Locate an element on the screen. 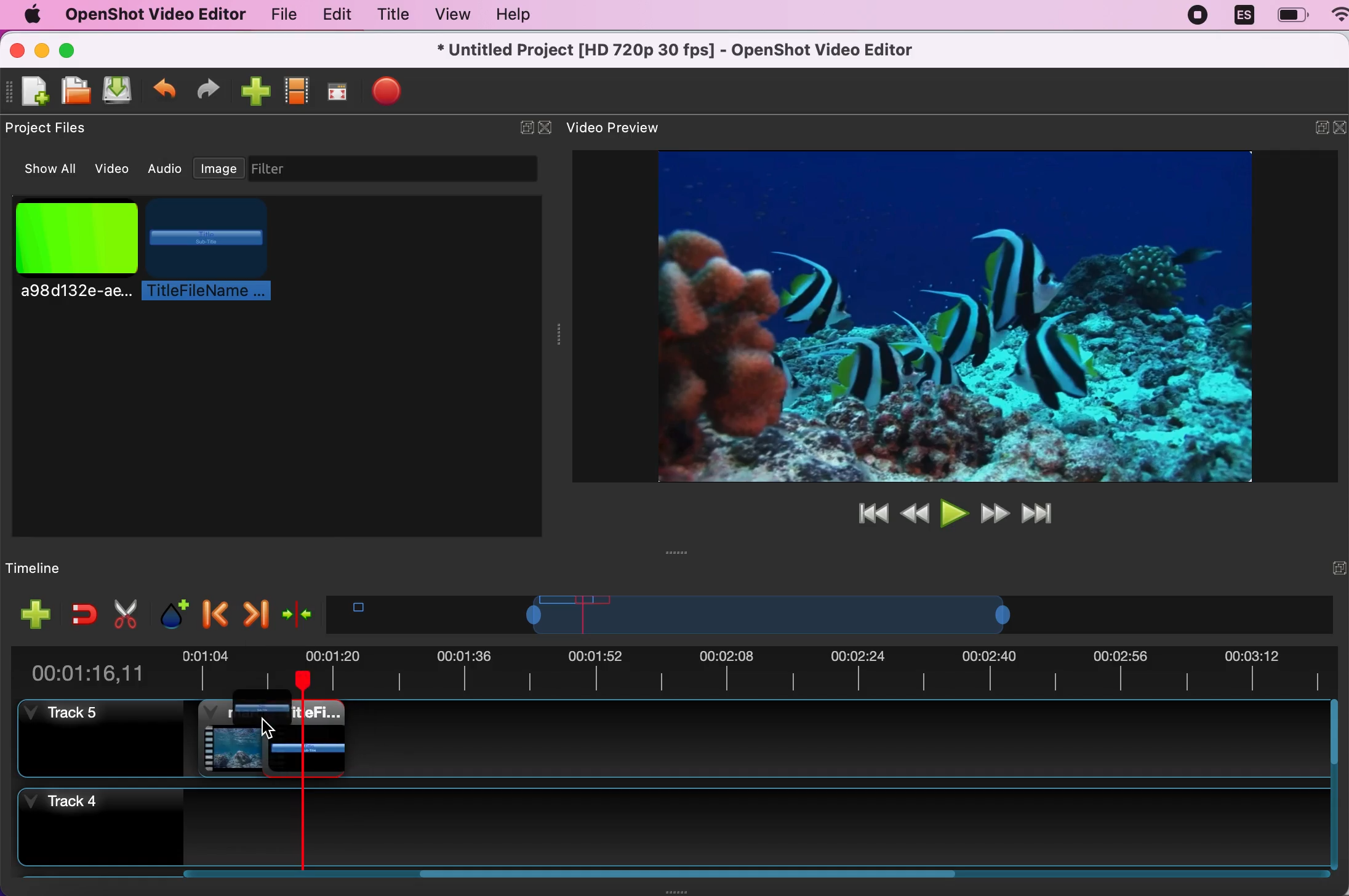 This screenshot has height=896, width=1349. track 4 is located at coordinates (670, 830).